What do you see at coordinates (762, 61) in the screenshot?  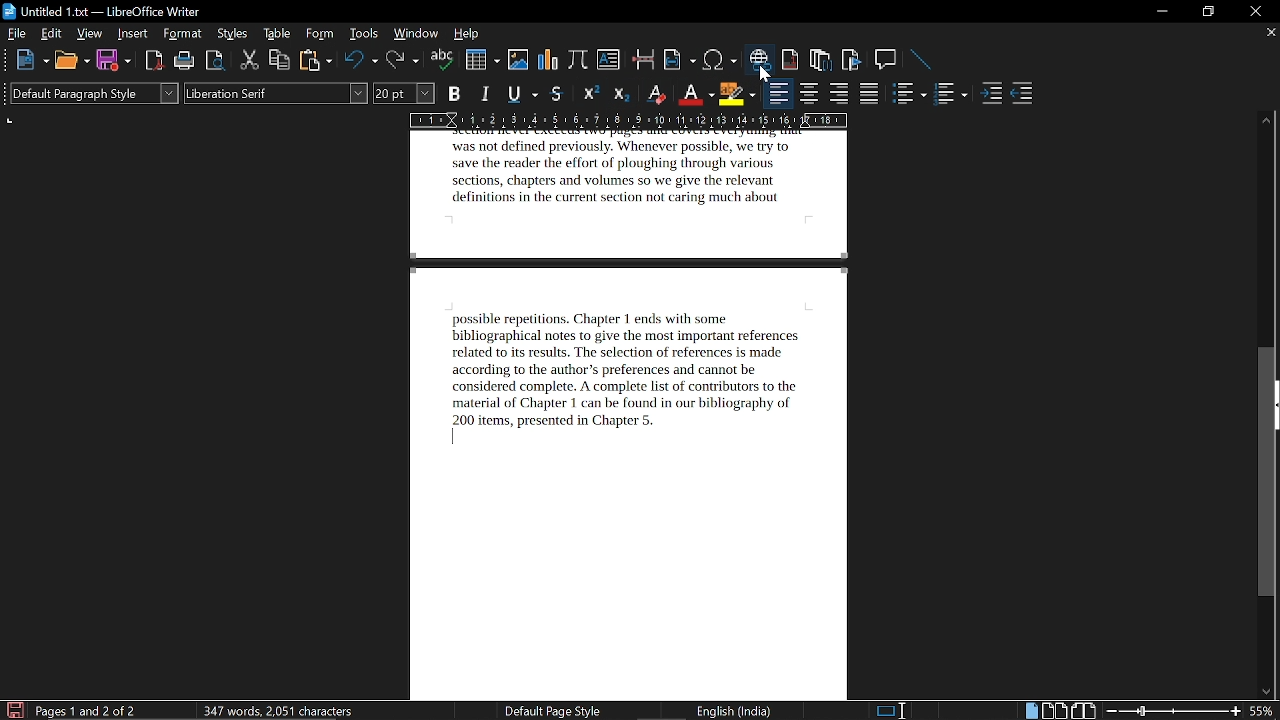 I see `insert hyperlink` at bounding box center [762, 61].